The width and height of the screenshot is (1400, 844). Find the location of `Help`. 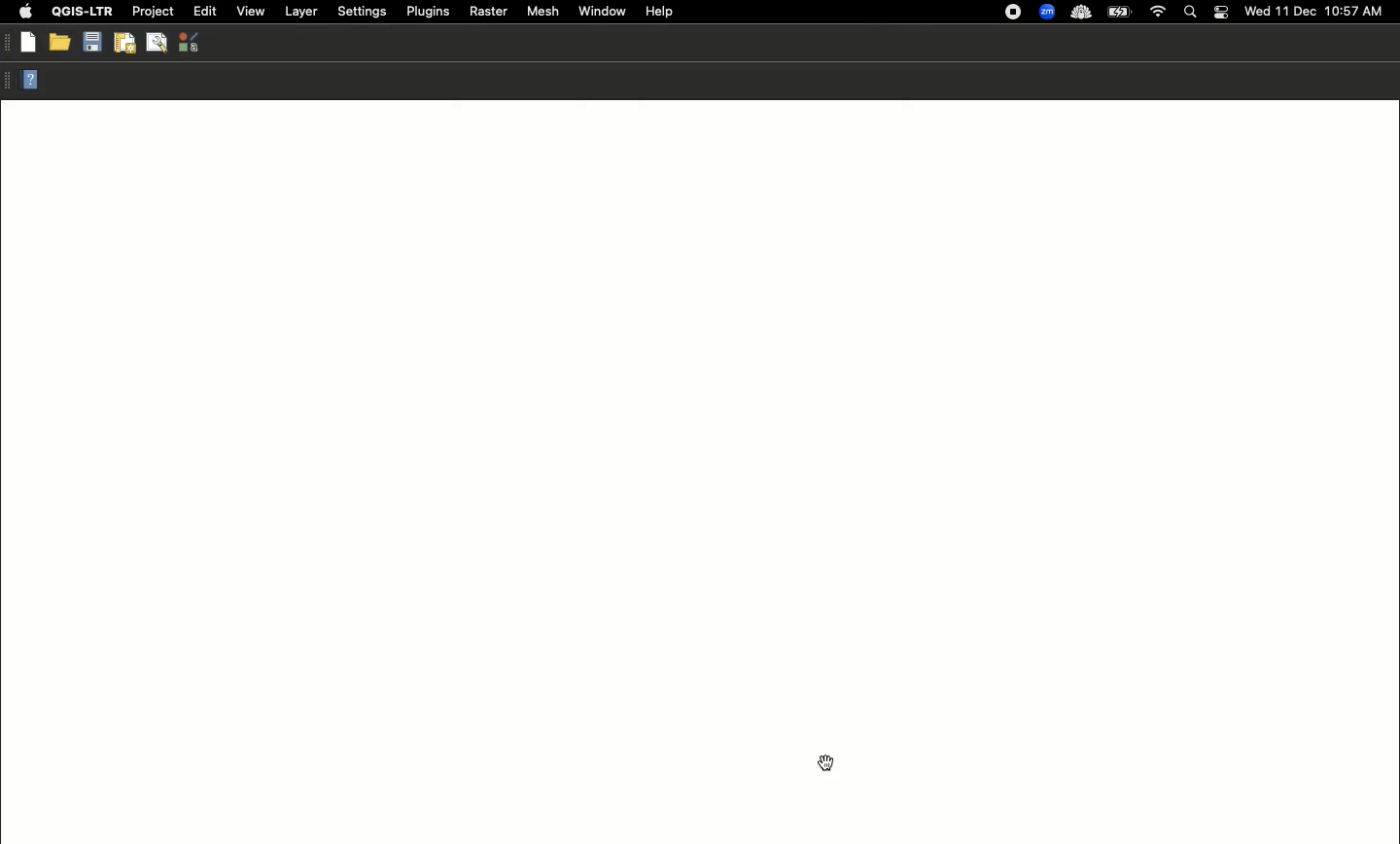

Help is located at coordinates (660, 11).